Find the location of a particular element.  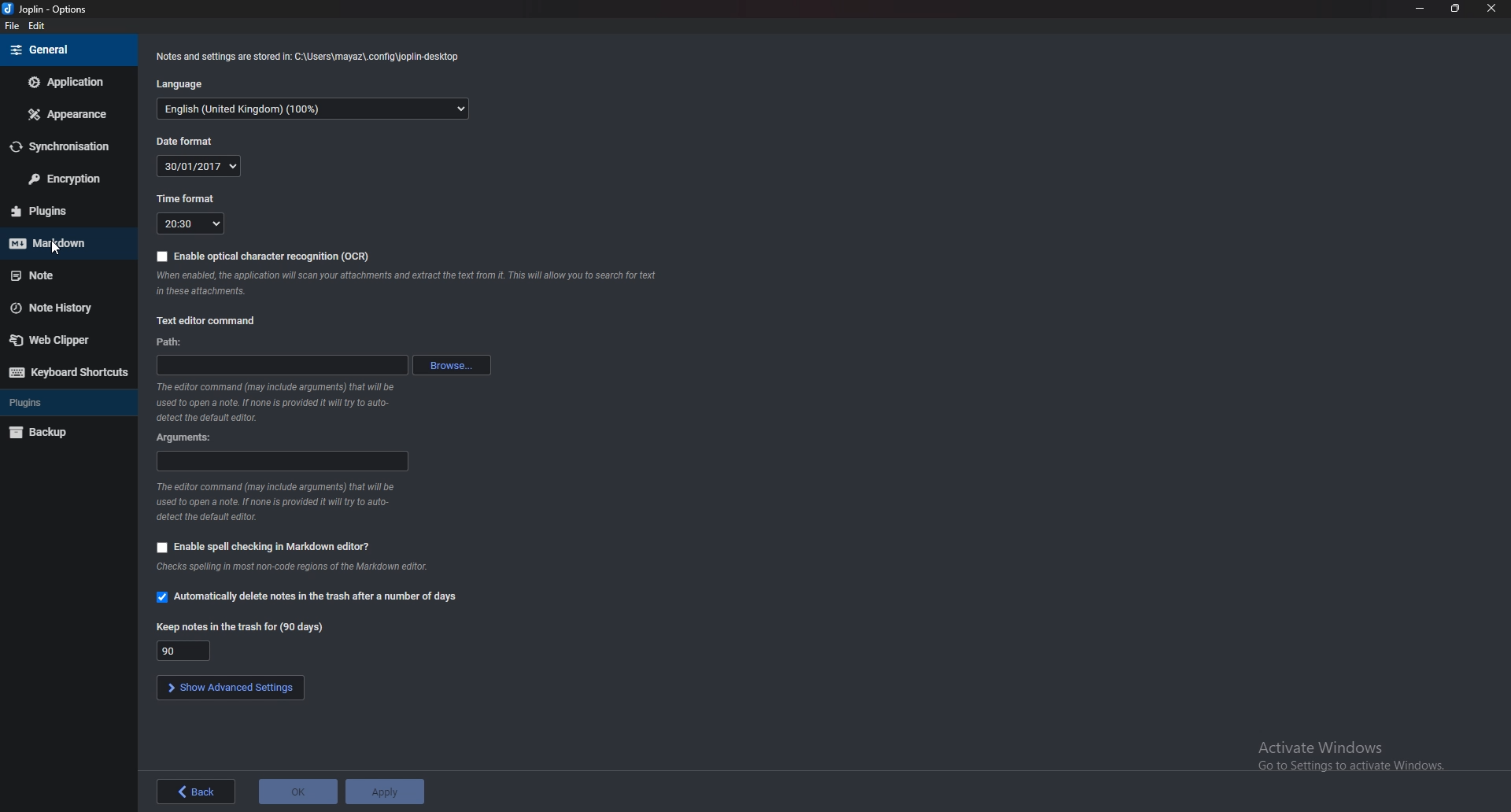

enable ocr is located at coordinates (267, 254).